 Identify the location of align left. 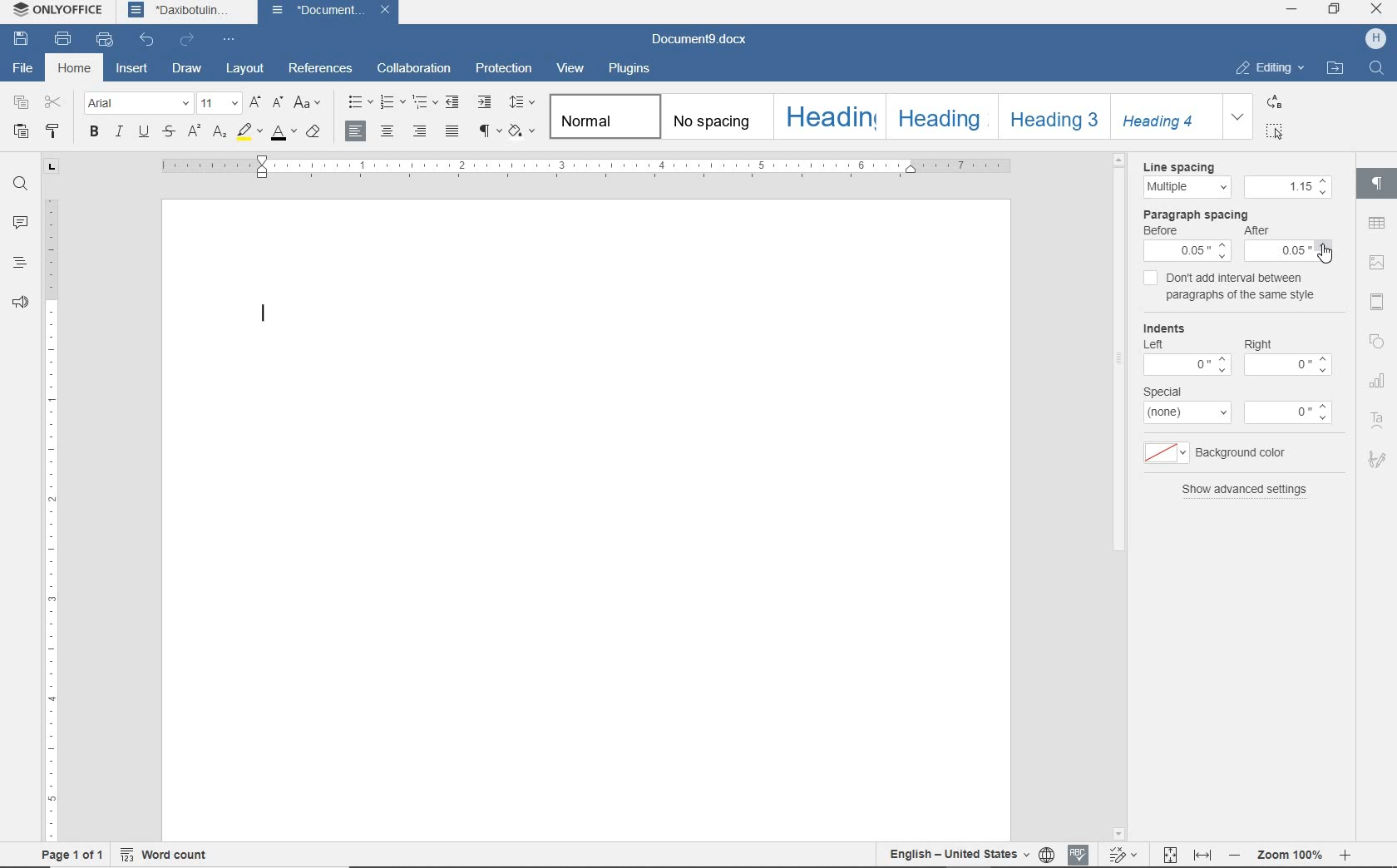
(357, 132).